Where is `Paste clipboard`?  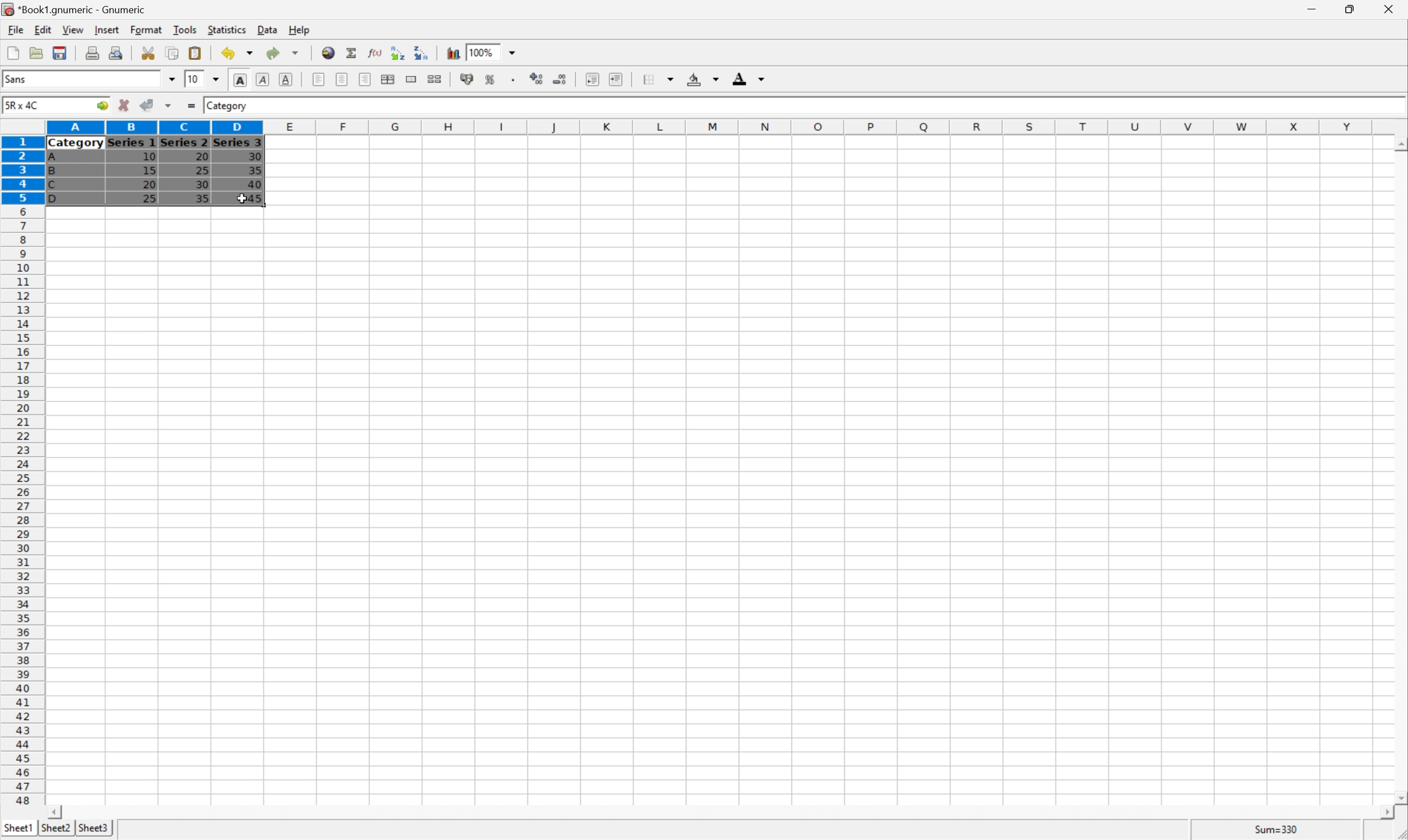 Paste clipboard is located at coordinates (195, 52).